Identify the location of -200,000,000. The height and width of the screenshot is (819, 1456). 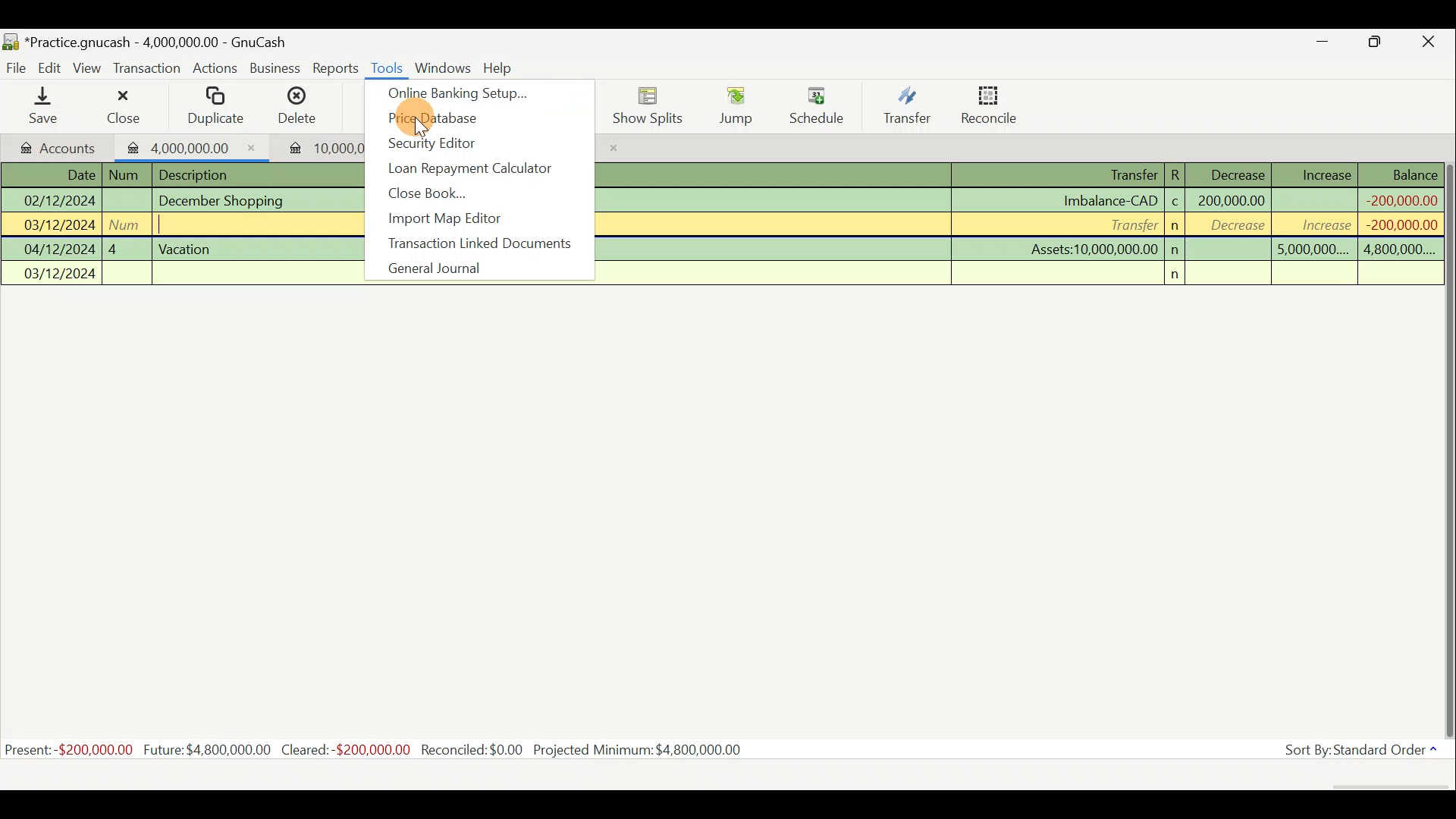
(1396, 224).